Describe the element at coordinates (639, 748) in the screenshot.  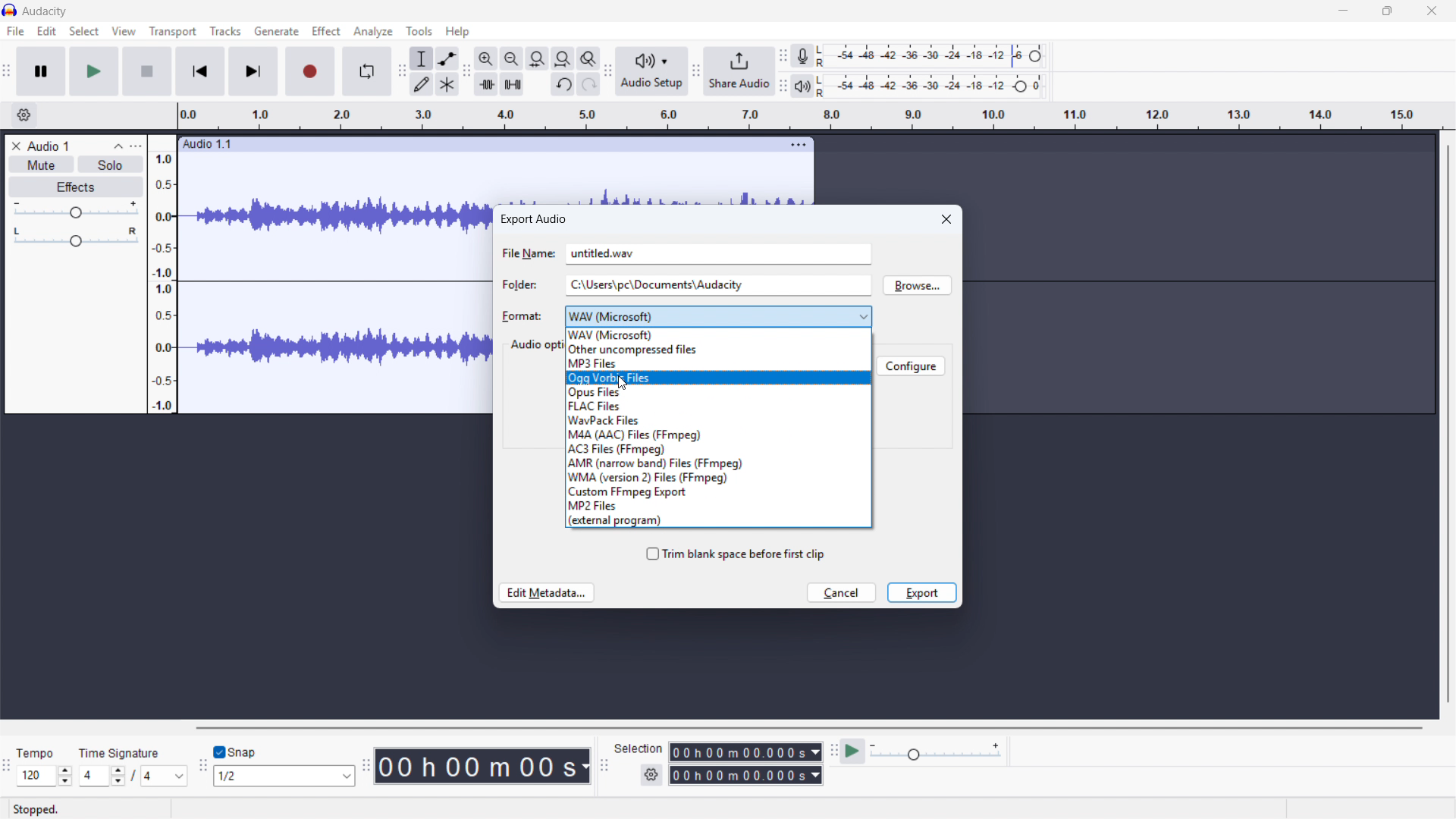
I see `selection` at that location.